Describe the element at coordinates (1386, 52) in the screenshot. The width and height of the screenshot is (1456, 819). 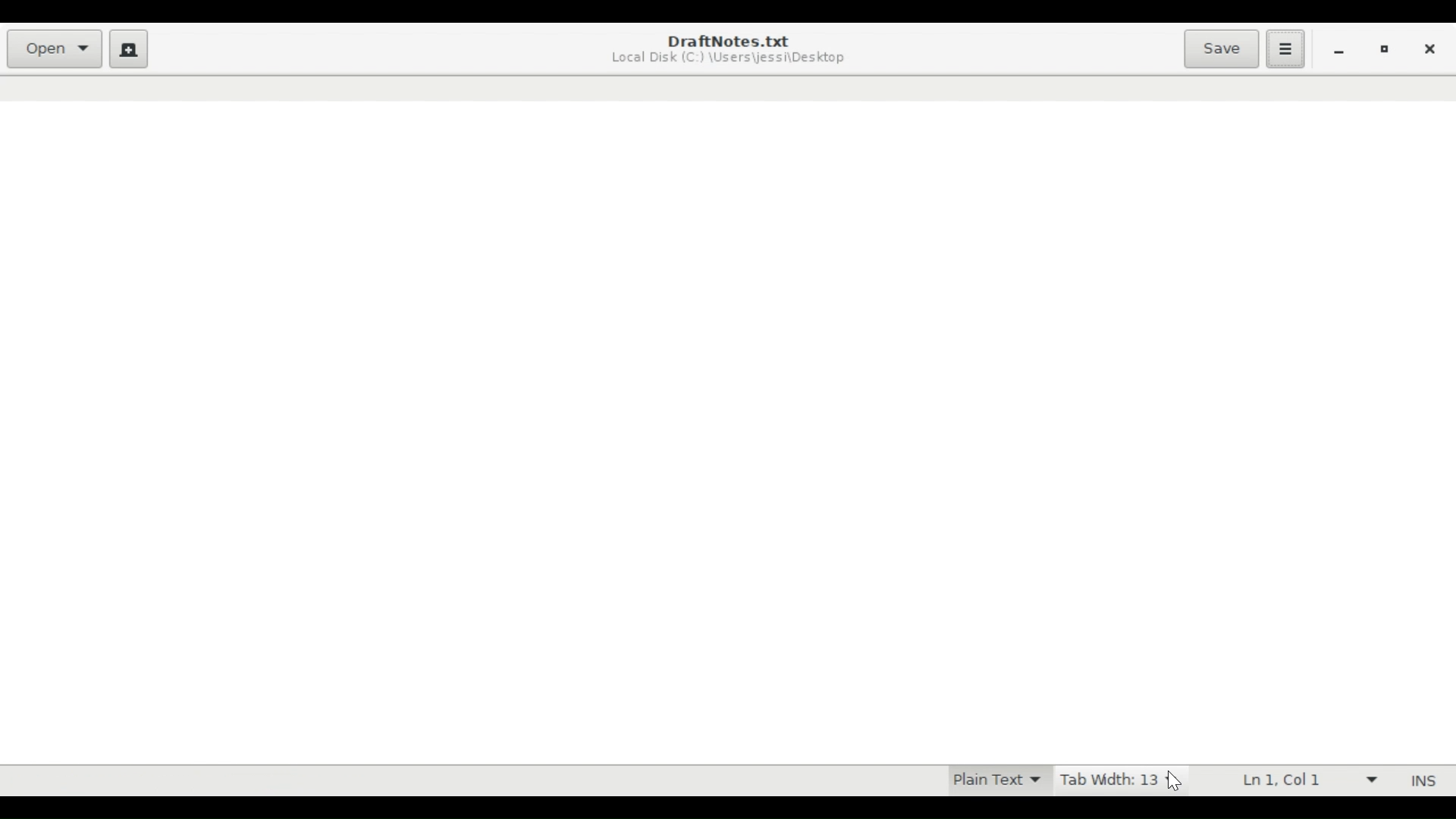
I see `Restore` at that location.